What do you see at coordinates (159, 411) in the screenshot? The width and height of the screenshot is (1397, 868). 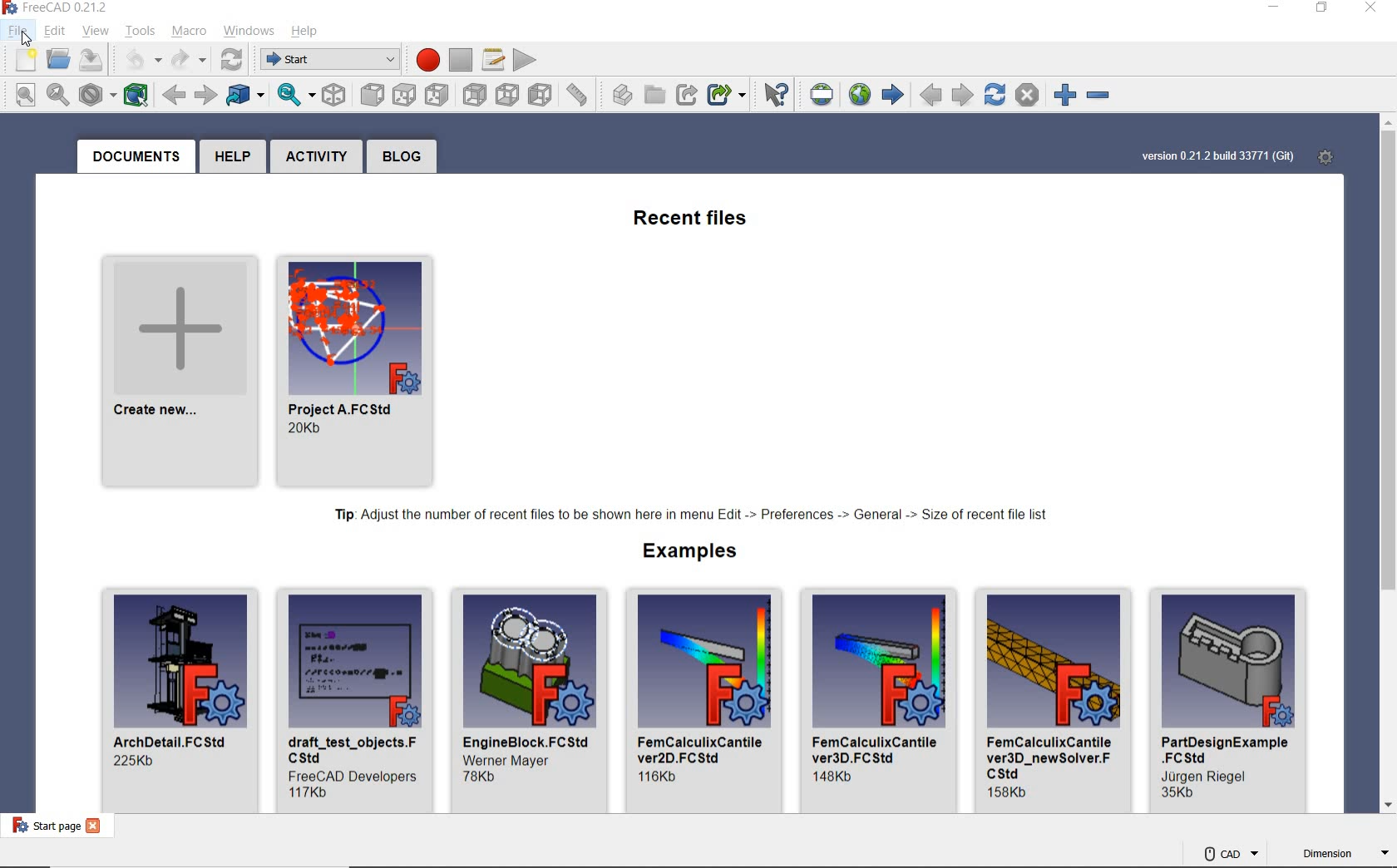 I see `name` at bounding box center [159, 411].